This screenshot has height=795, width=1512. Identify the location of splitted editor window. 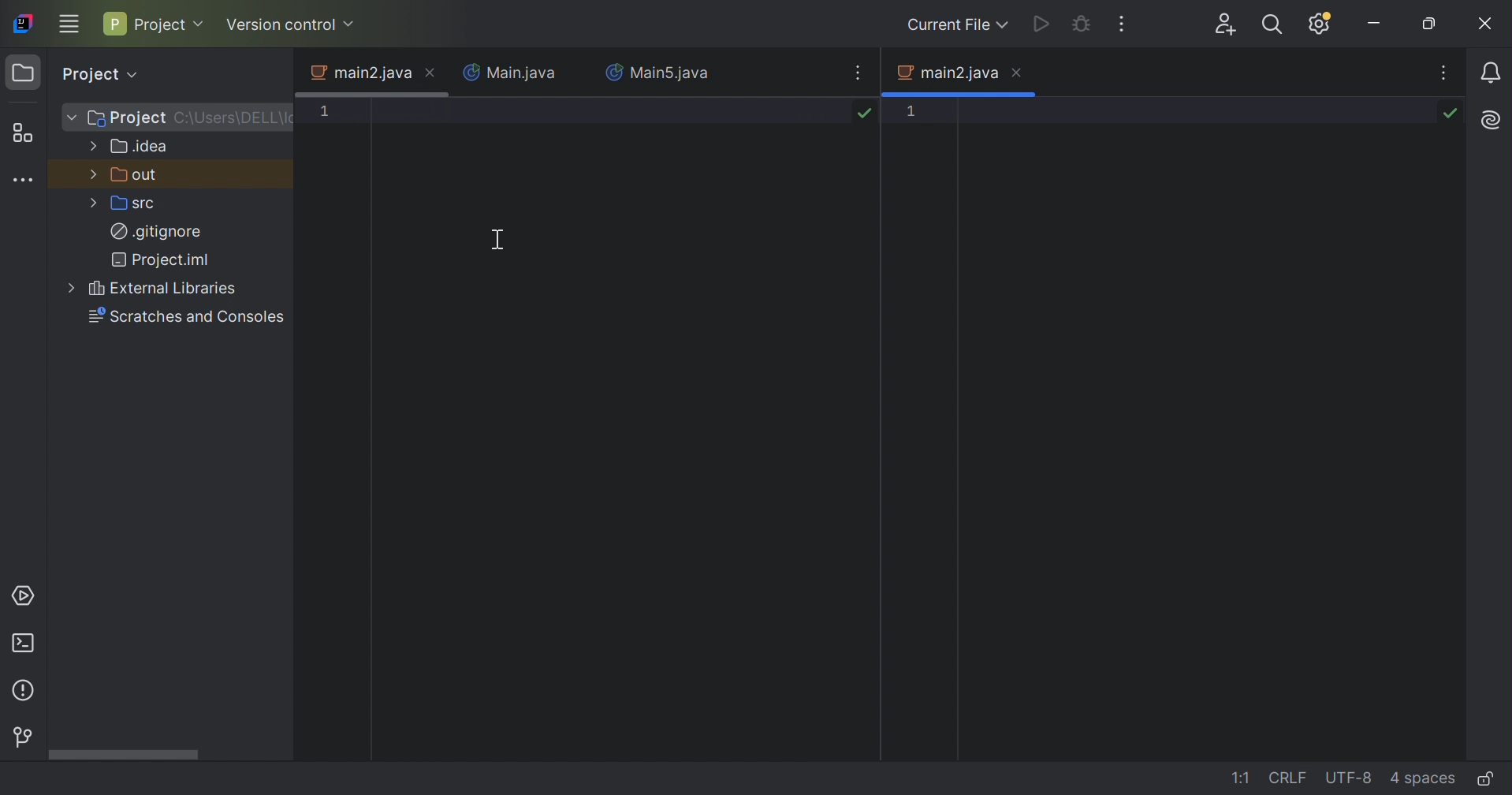
(621, 453).